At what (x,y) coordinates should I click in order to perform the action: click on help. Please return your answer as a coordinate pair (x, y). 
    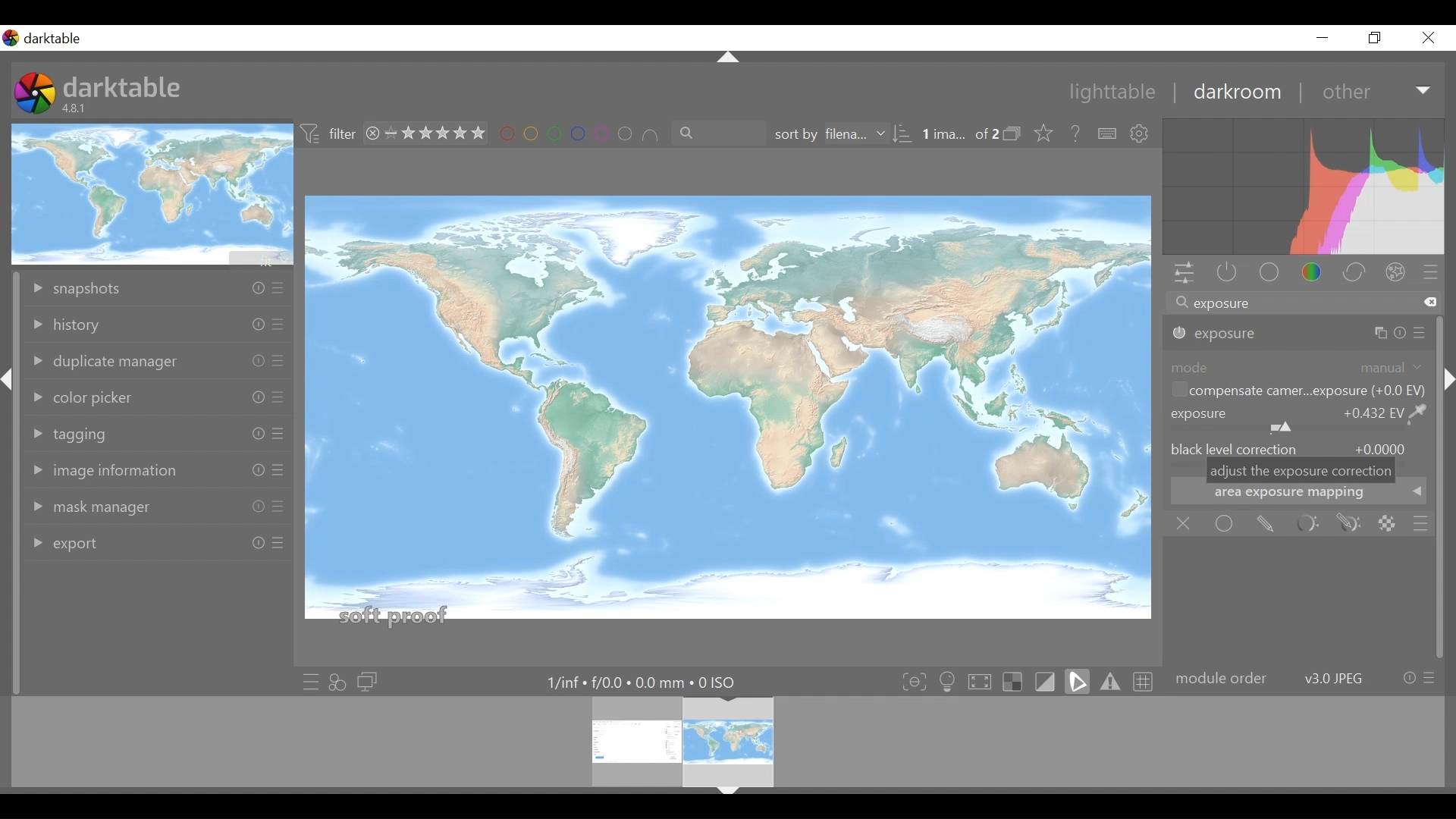
    Looking at the image, I should click on (1077, 134).